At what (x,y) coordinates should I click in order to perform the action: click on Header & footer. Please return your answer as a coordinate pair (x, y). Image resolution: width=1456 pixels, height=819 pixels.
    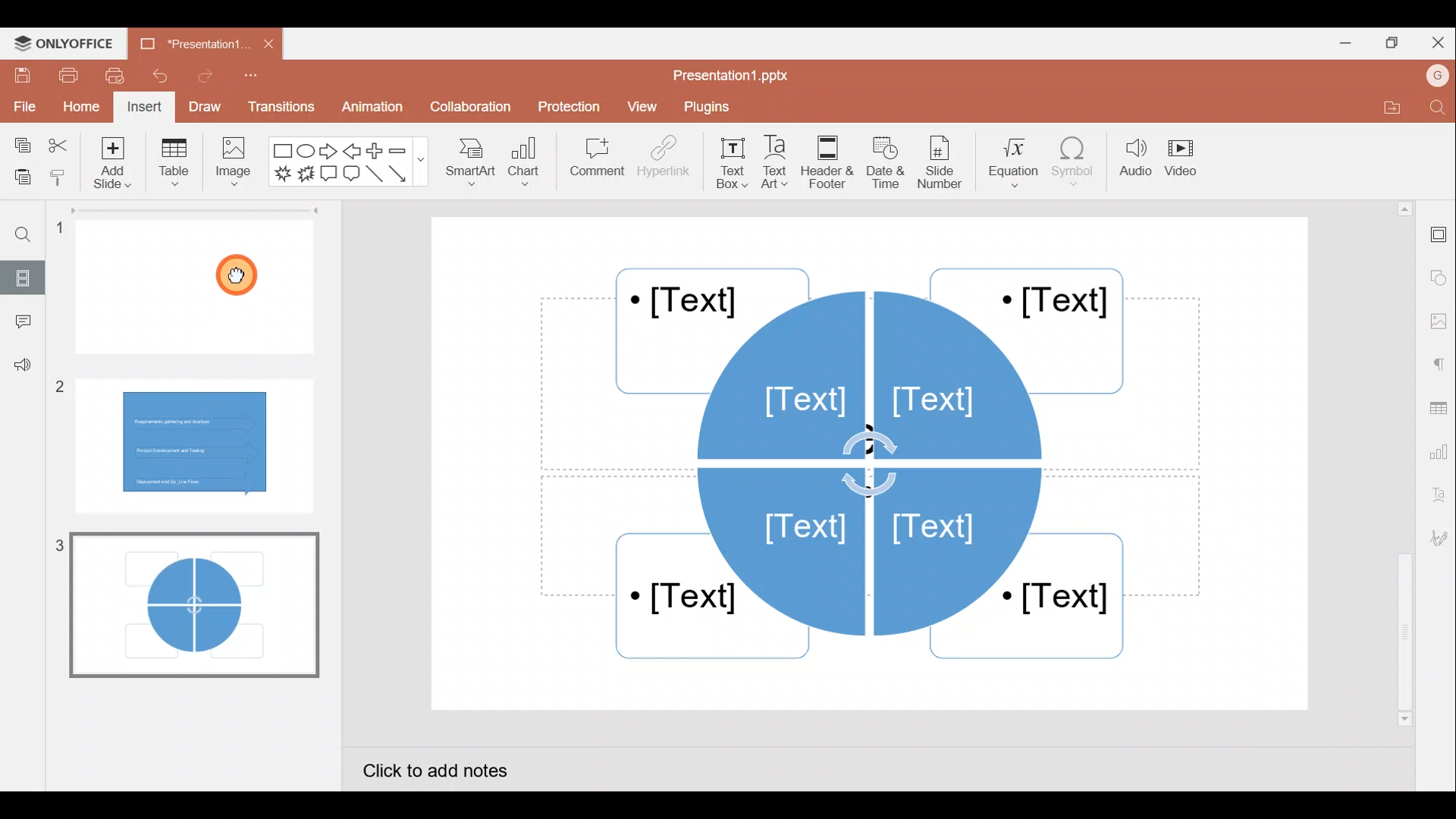
    Looking at the image, I should click on (831, 162).